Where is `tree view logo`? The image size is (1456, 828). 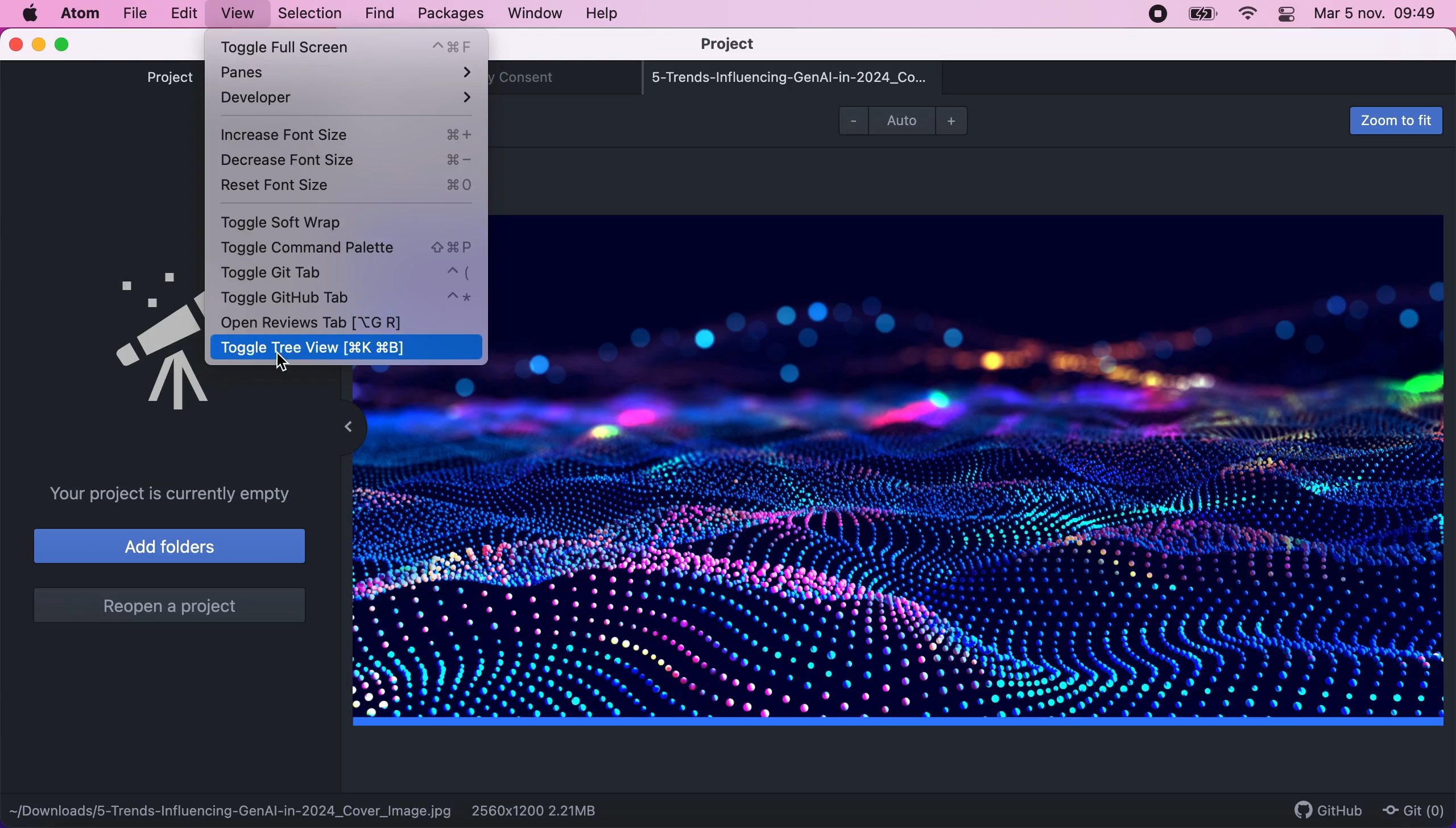 tree view logo is located at coordinates (132, 344).